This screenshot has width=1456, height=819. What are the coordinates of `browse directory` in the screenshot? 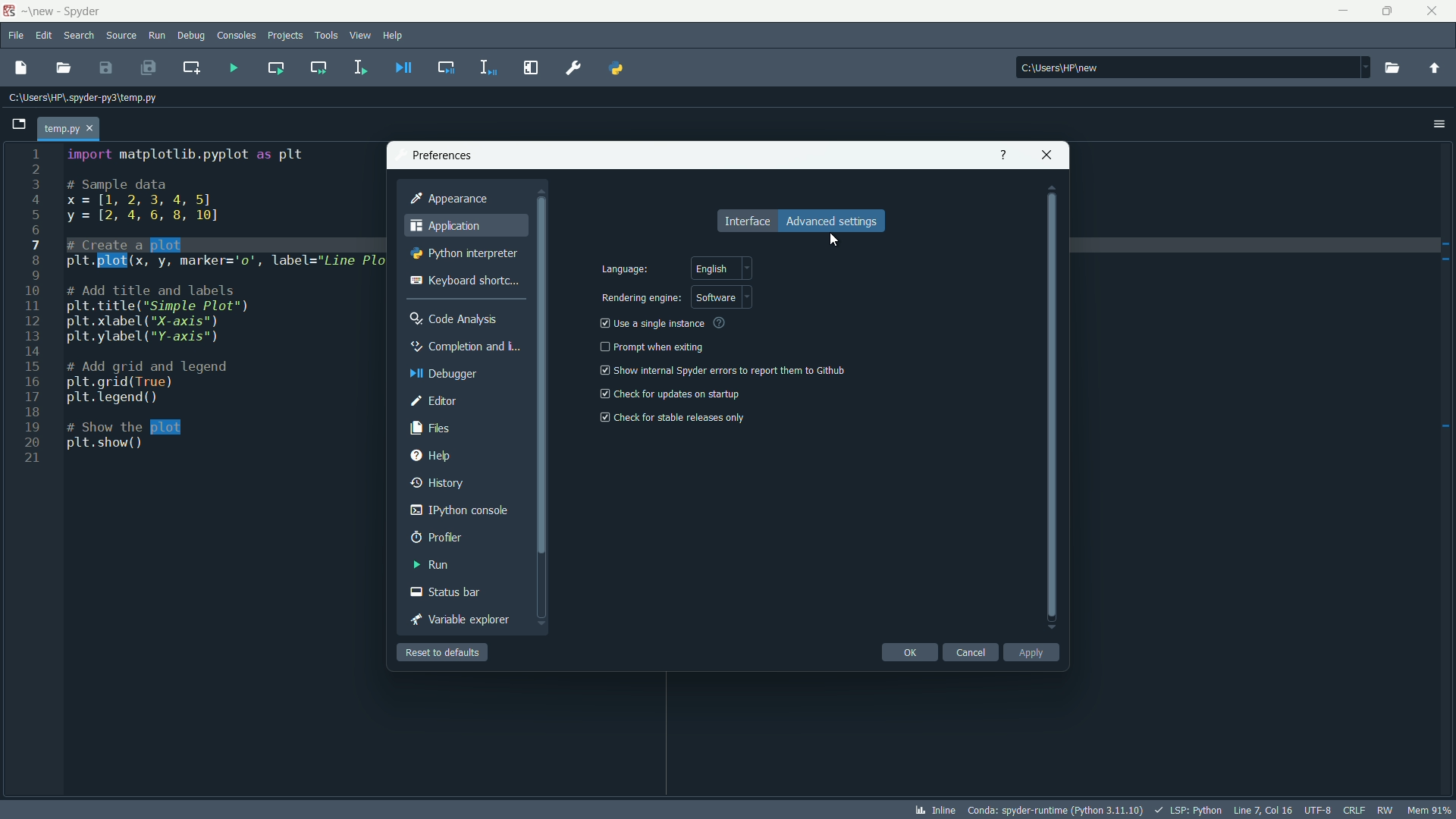 It's located at (1391, 68).